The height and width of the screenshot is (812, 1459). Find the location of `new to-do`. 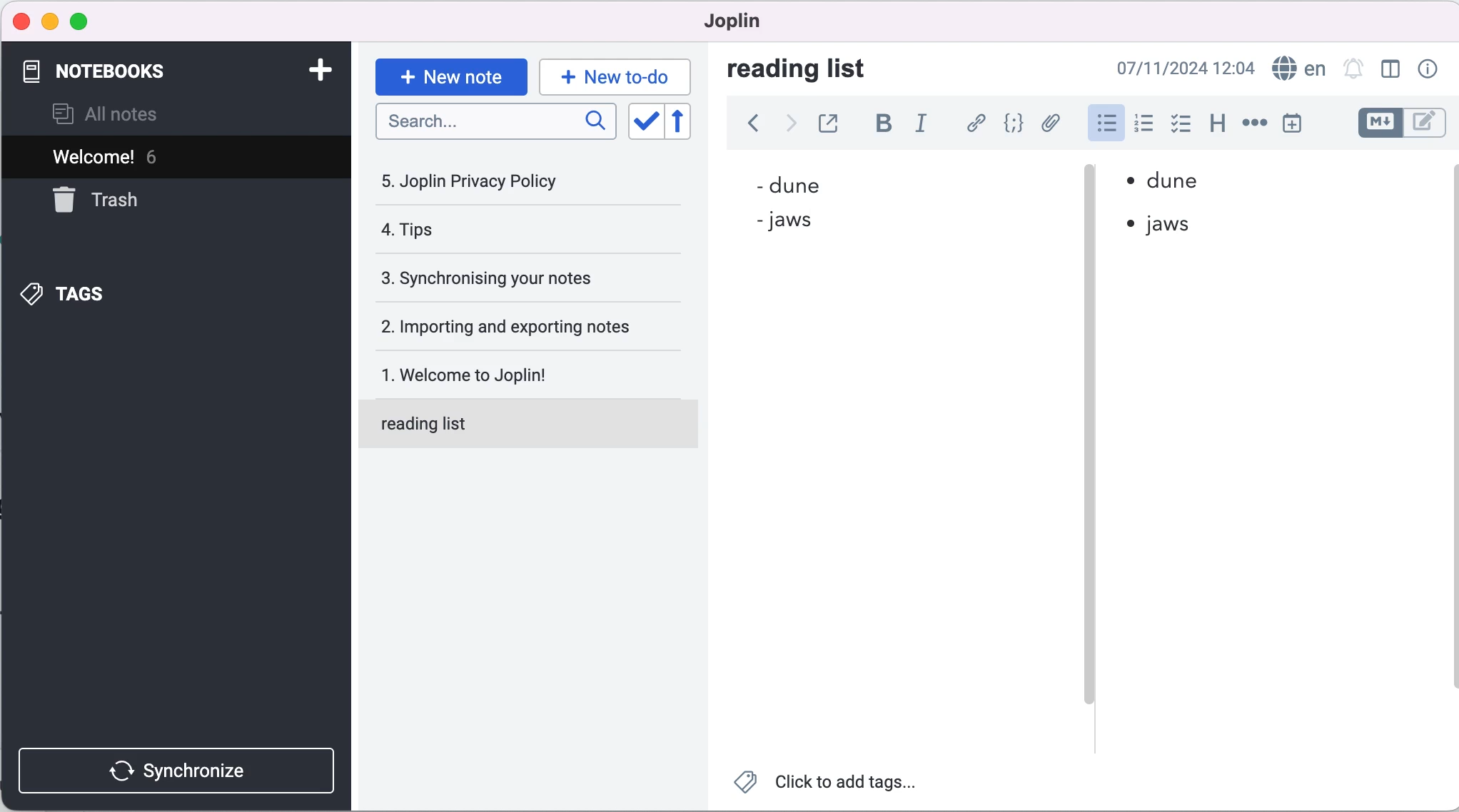

new to-do is located at coordinates (617, 74).